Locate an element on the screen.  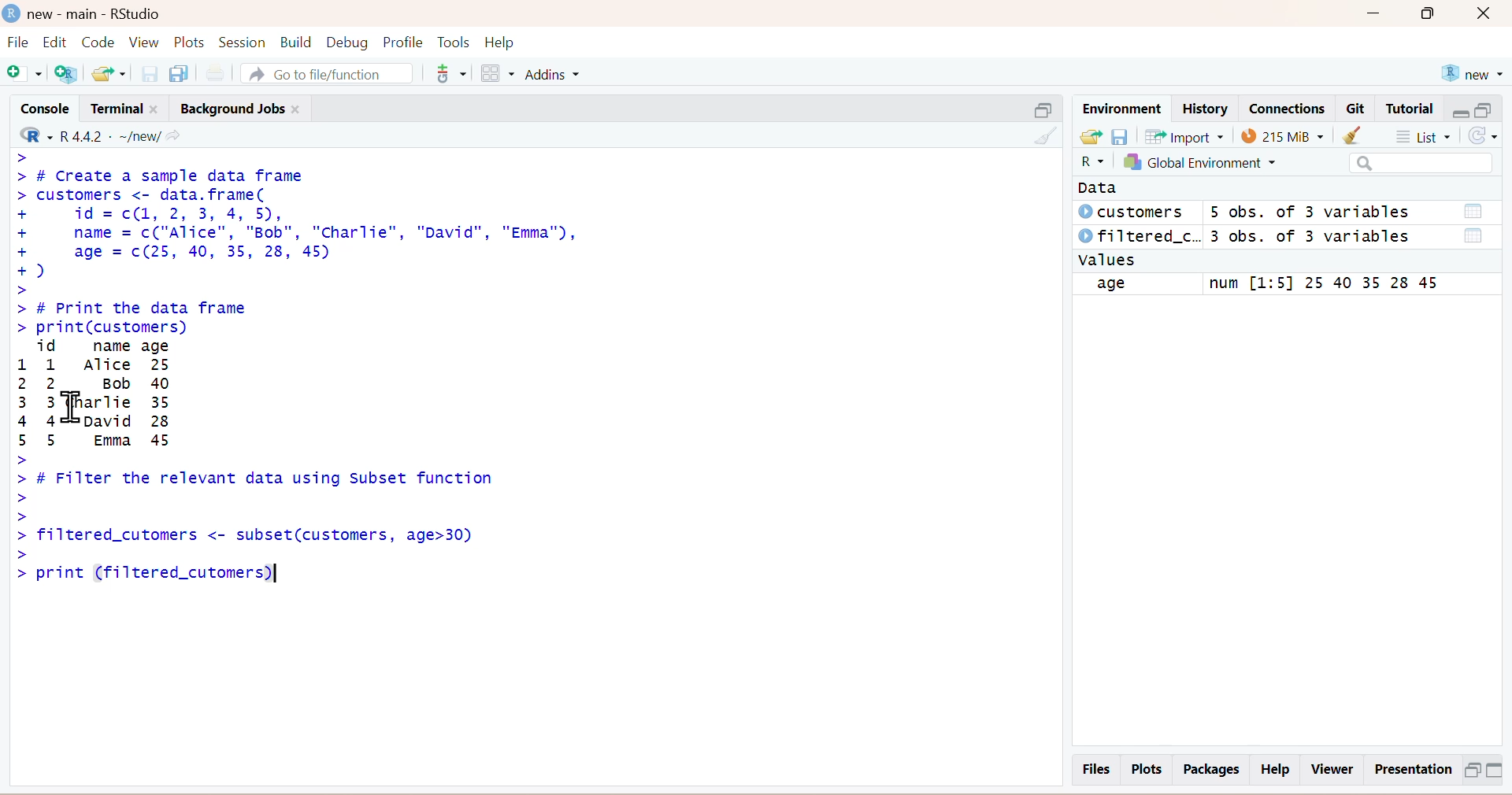
save current file is located at coordinates (150, 72).